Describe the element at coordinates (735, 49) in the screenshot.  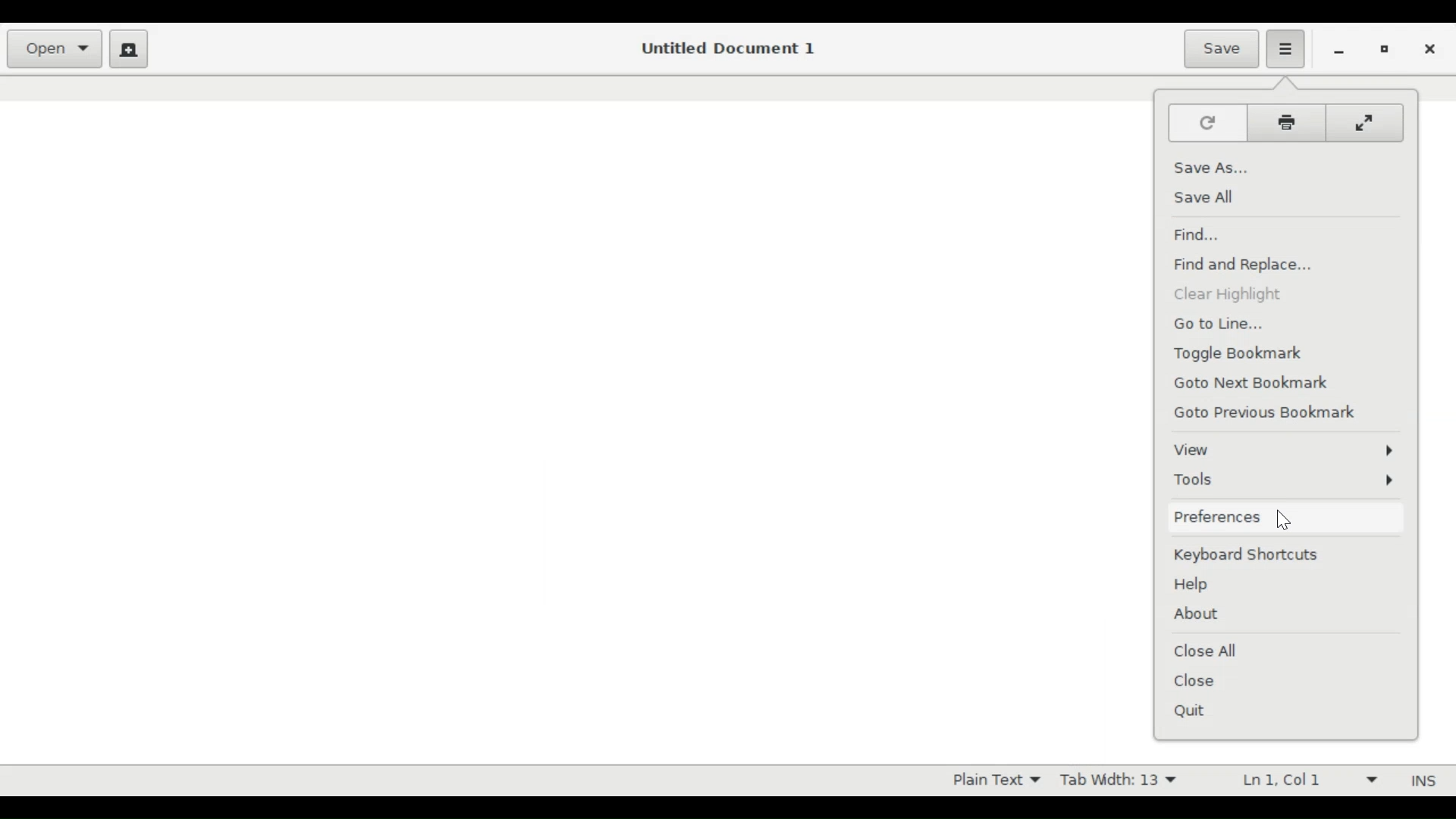
I see `Untitled Document ` at that location.